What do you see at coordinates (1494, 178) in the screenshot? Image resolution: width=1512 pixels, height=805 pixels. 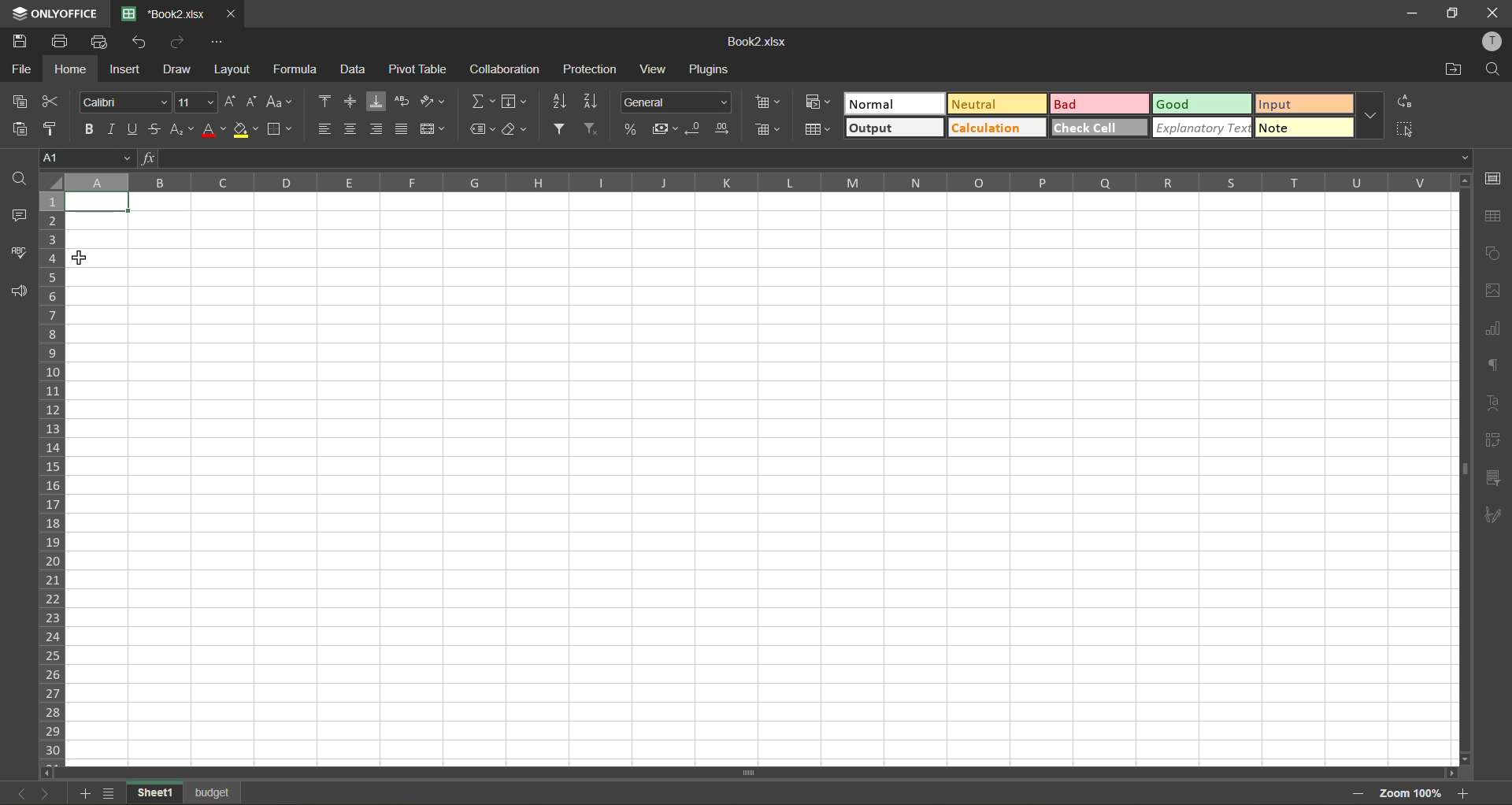 I see `cell settings` at bounding box center [1494, 178].